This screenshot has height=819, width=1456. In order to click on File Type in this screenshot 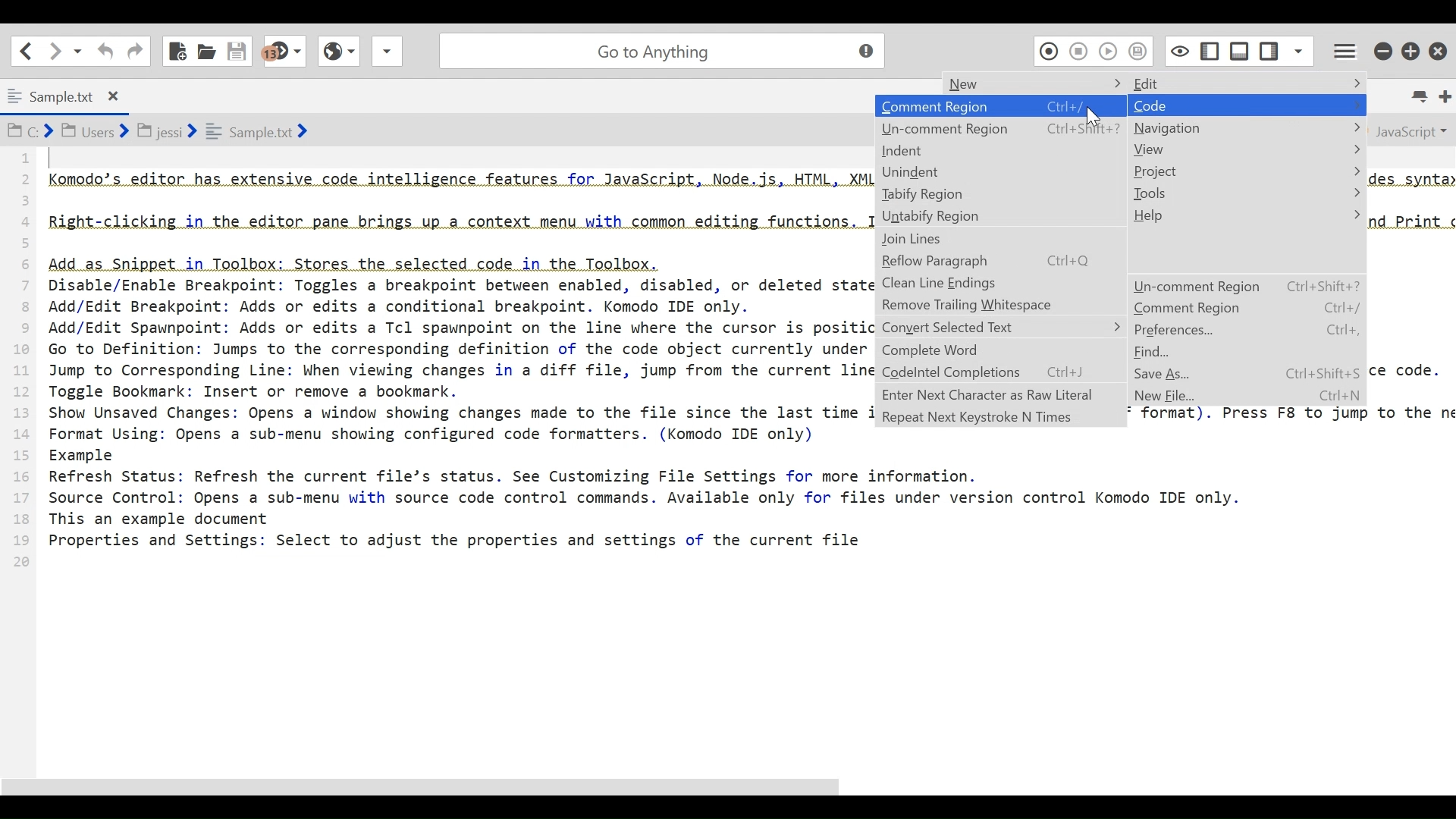, I will do `click(1409, 130)`.